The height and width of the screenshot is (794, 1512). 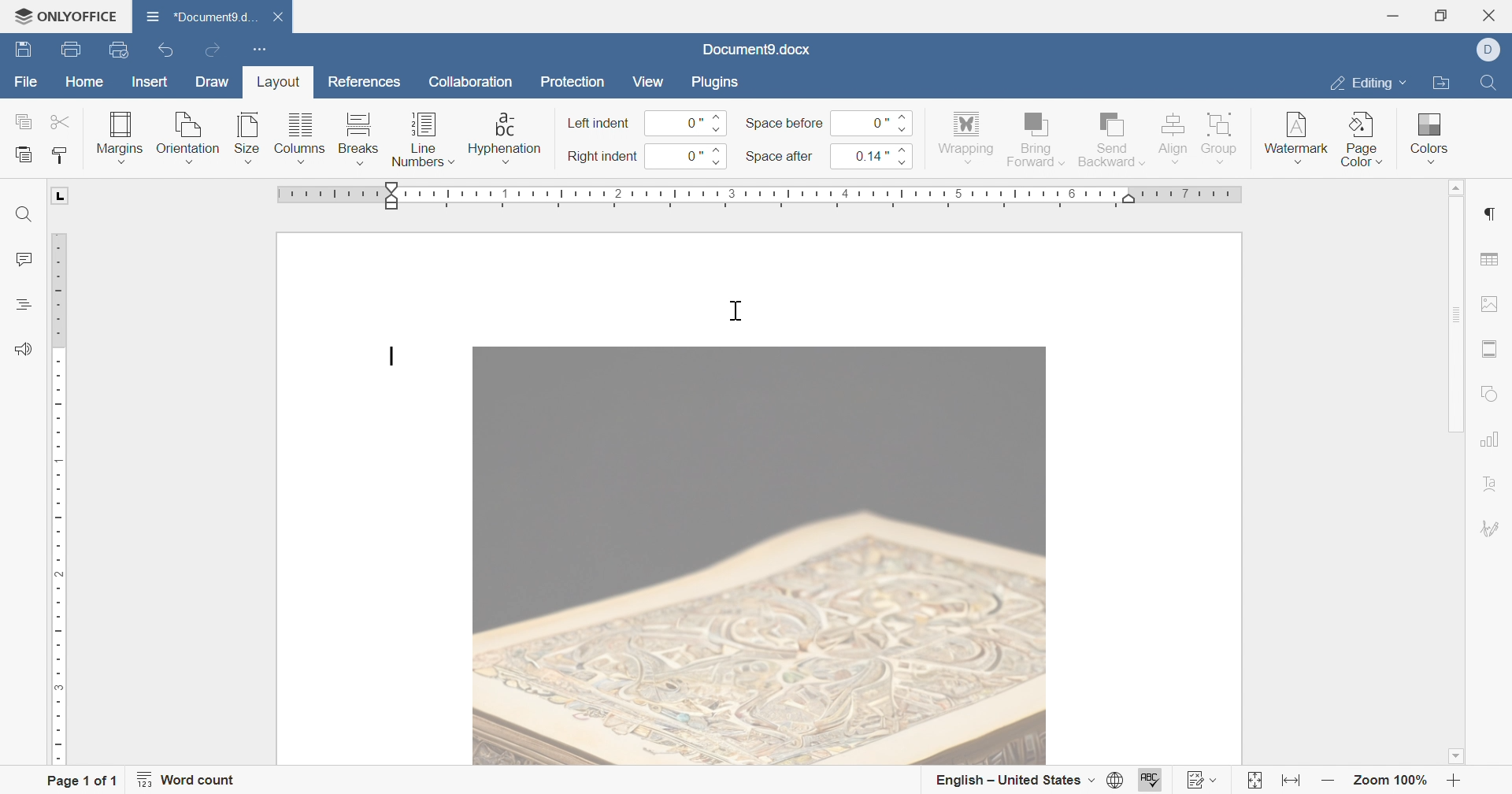 What do you see at coordinates (755, 50) in the screenshot?
I see `document name` at bounding box center [755, 50].